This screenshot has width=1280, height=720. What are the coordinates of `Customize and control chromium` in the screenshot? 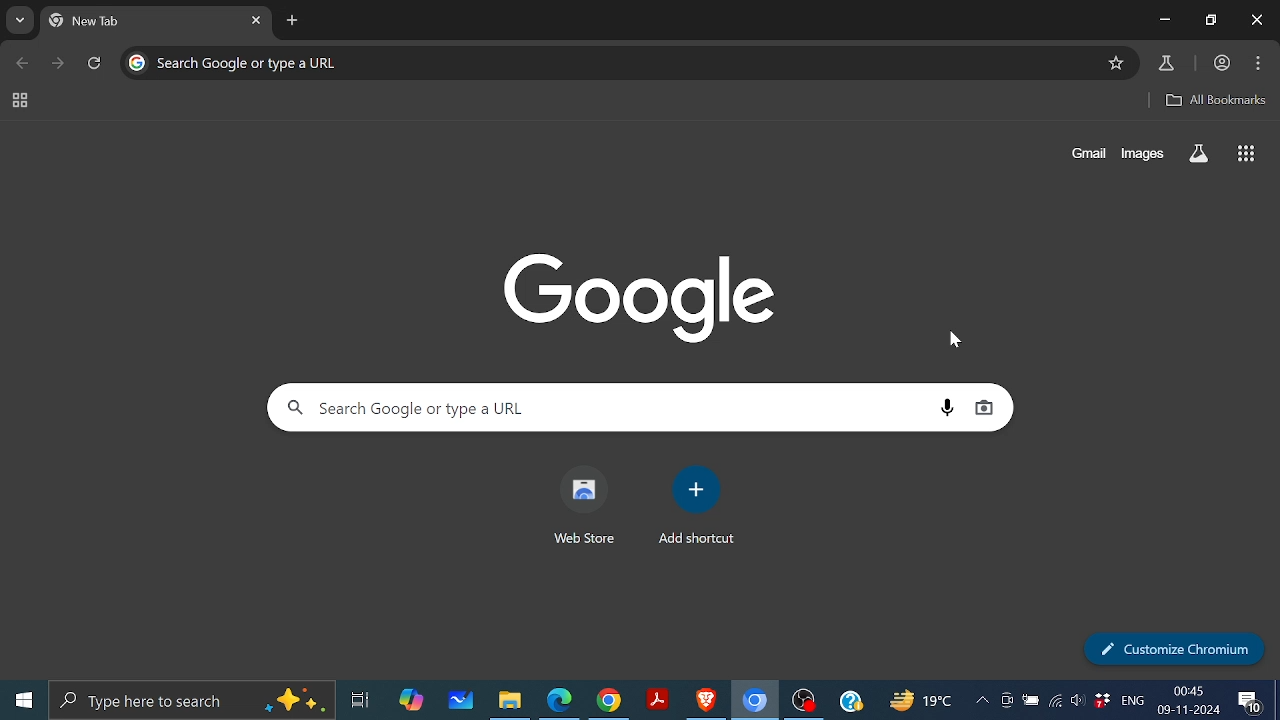 It's located at (1257, 65).